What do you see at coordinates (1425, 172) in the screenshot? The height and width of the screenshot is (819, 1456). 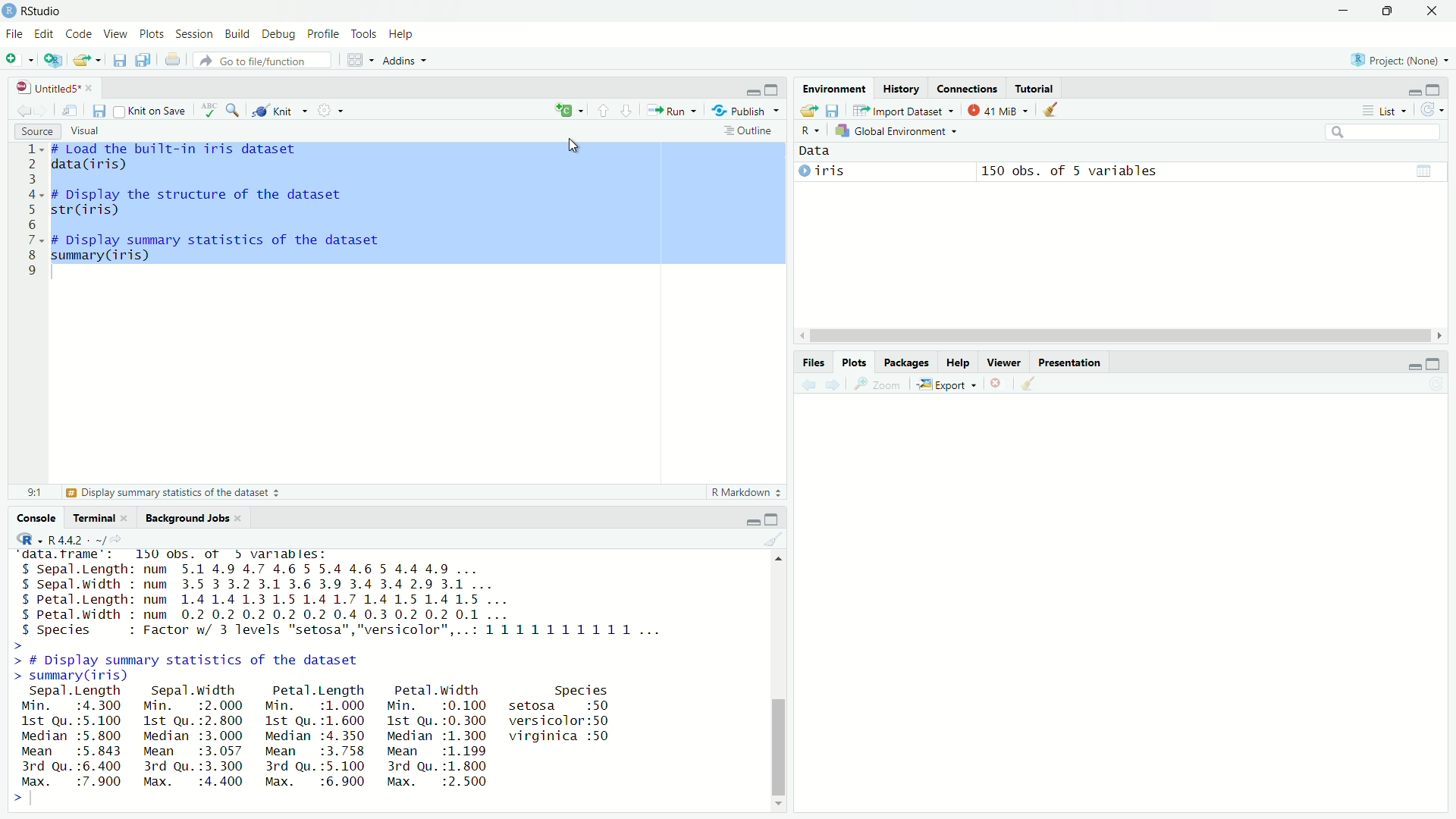 I see `Calender` at bounding box center [1425, 172].